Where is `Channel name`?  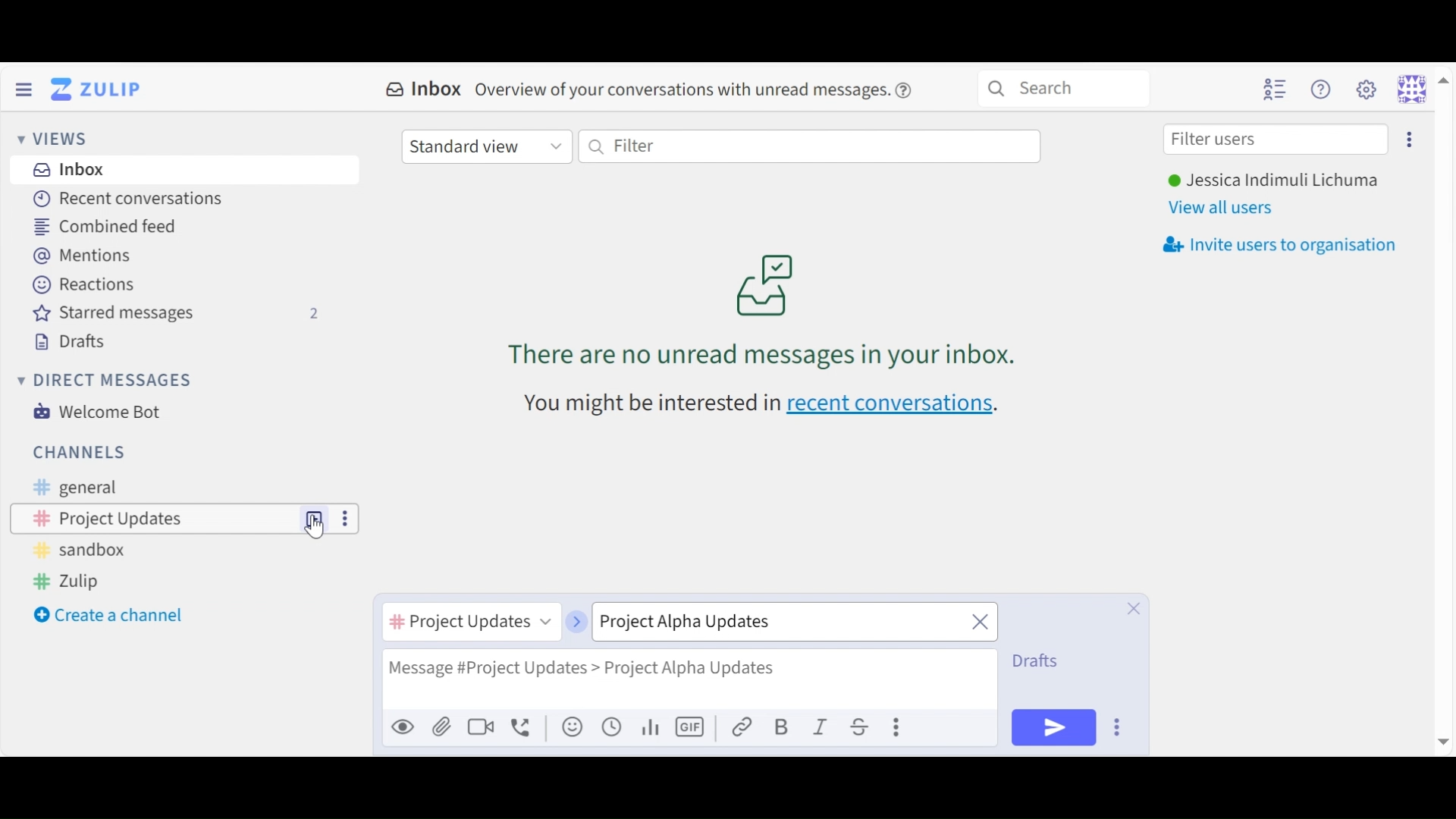 Channel name is located at coordinates (470, 624).